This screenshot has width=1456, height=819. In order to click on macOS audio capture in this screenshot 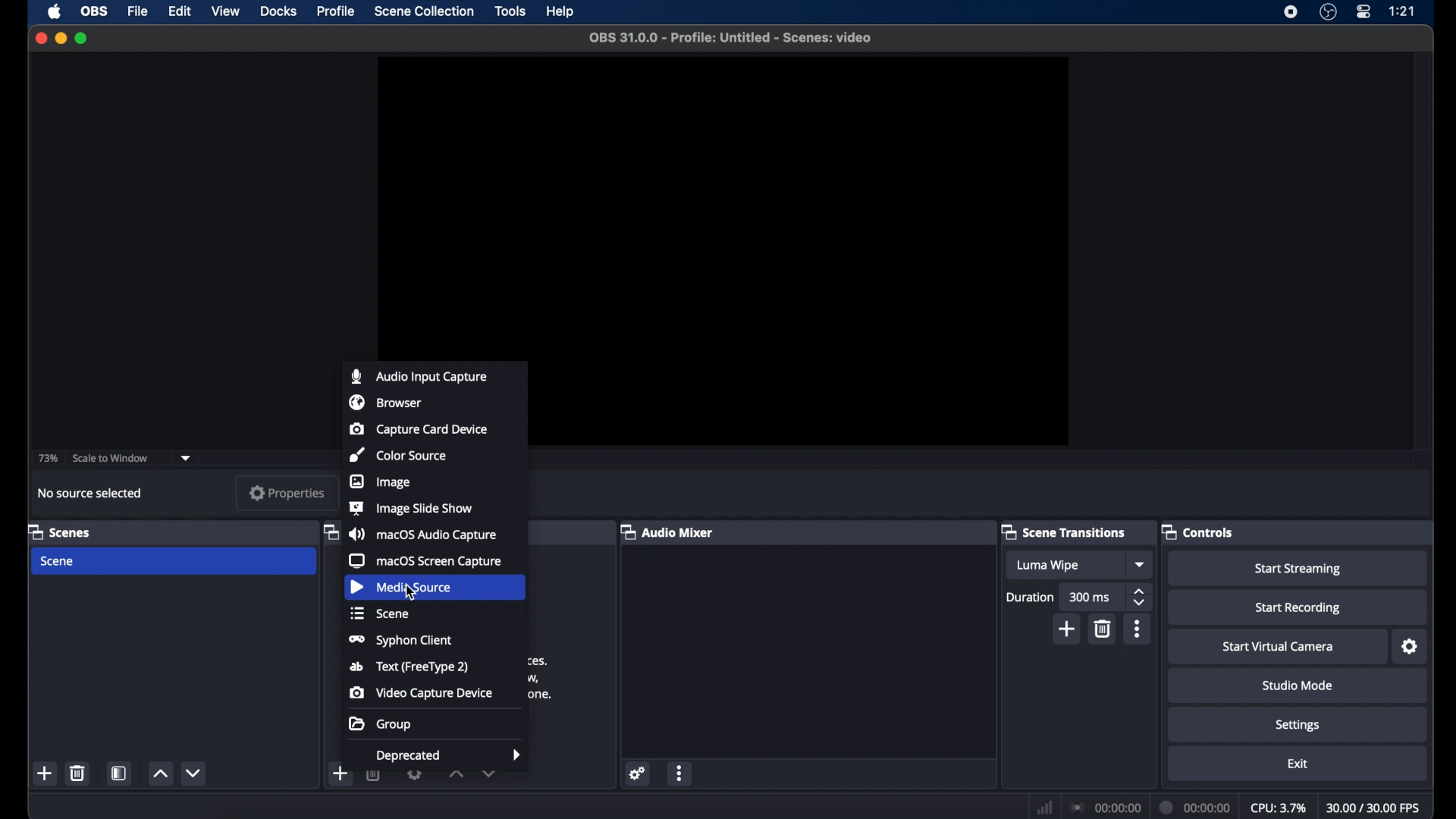, I will do `click(423, 535)`.